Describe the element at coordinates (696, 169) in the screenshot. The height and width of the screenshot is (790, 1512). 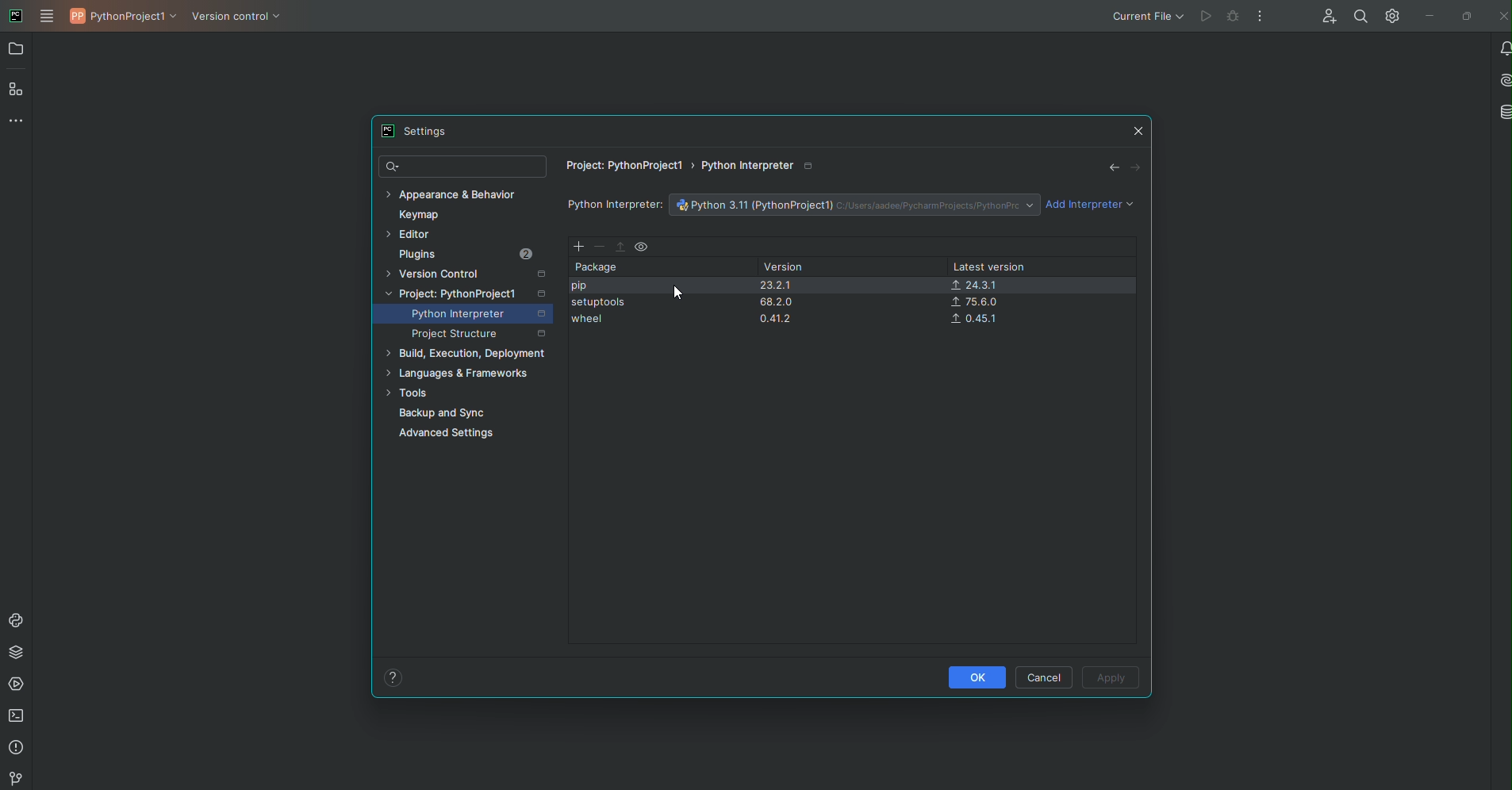
I see `File path` at that location.